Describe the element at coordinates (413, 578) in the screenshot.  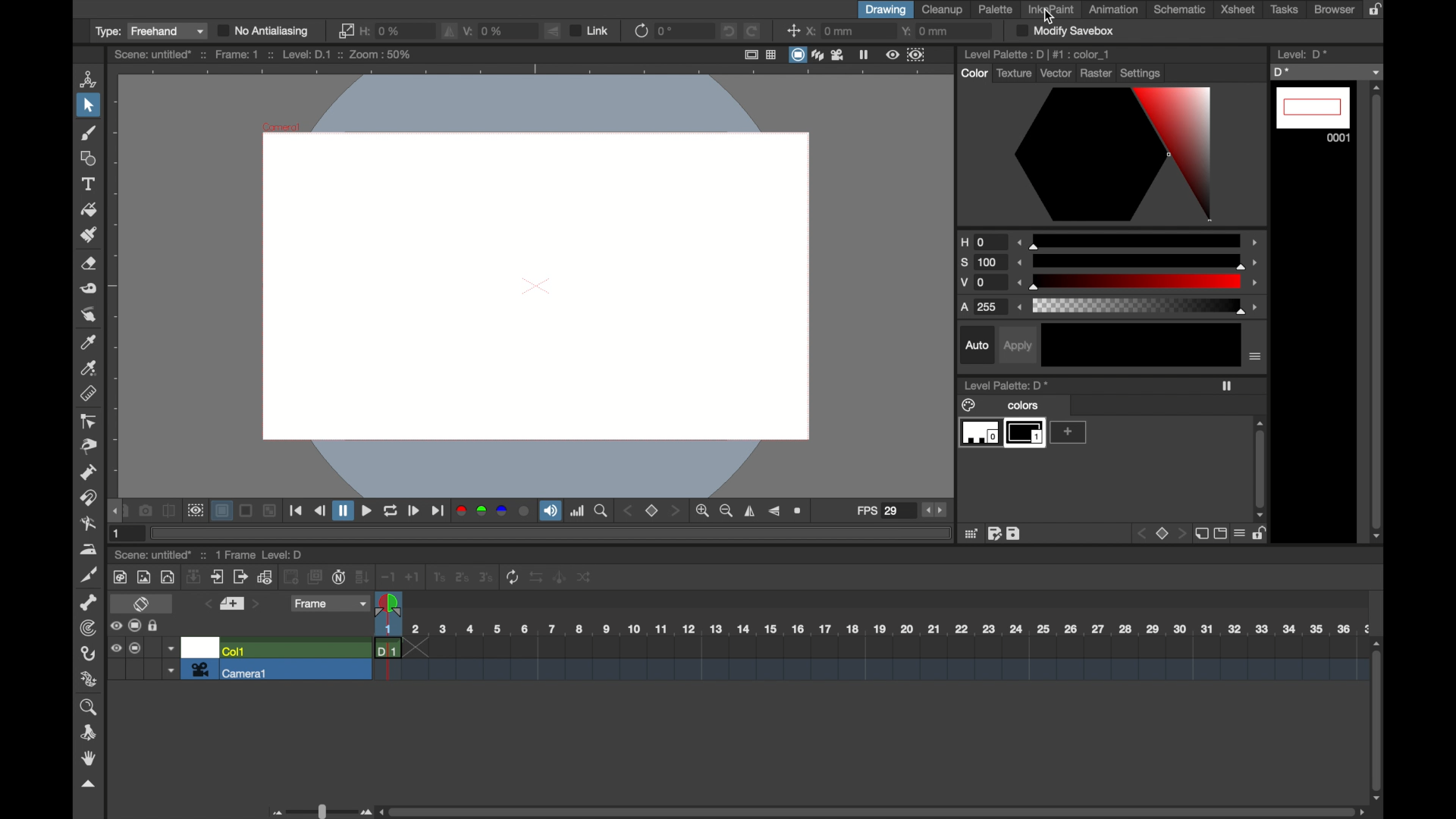
I see `+1` at that location.